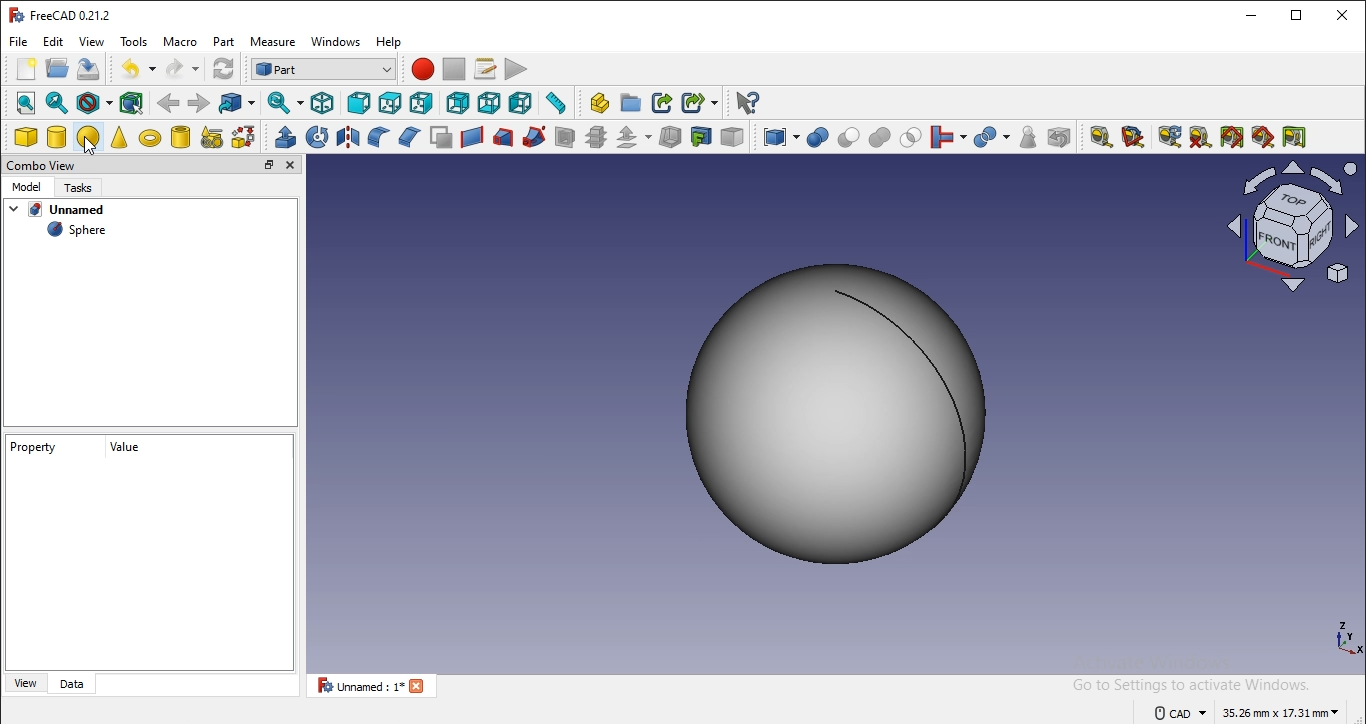 Image resolution: width=1366 pixels, height=724 pixels. Describe the element at coordinates (990, 137) in the screenshot. I see `split objects` at that location.